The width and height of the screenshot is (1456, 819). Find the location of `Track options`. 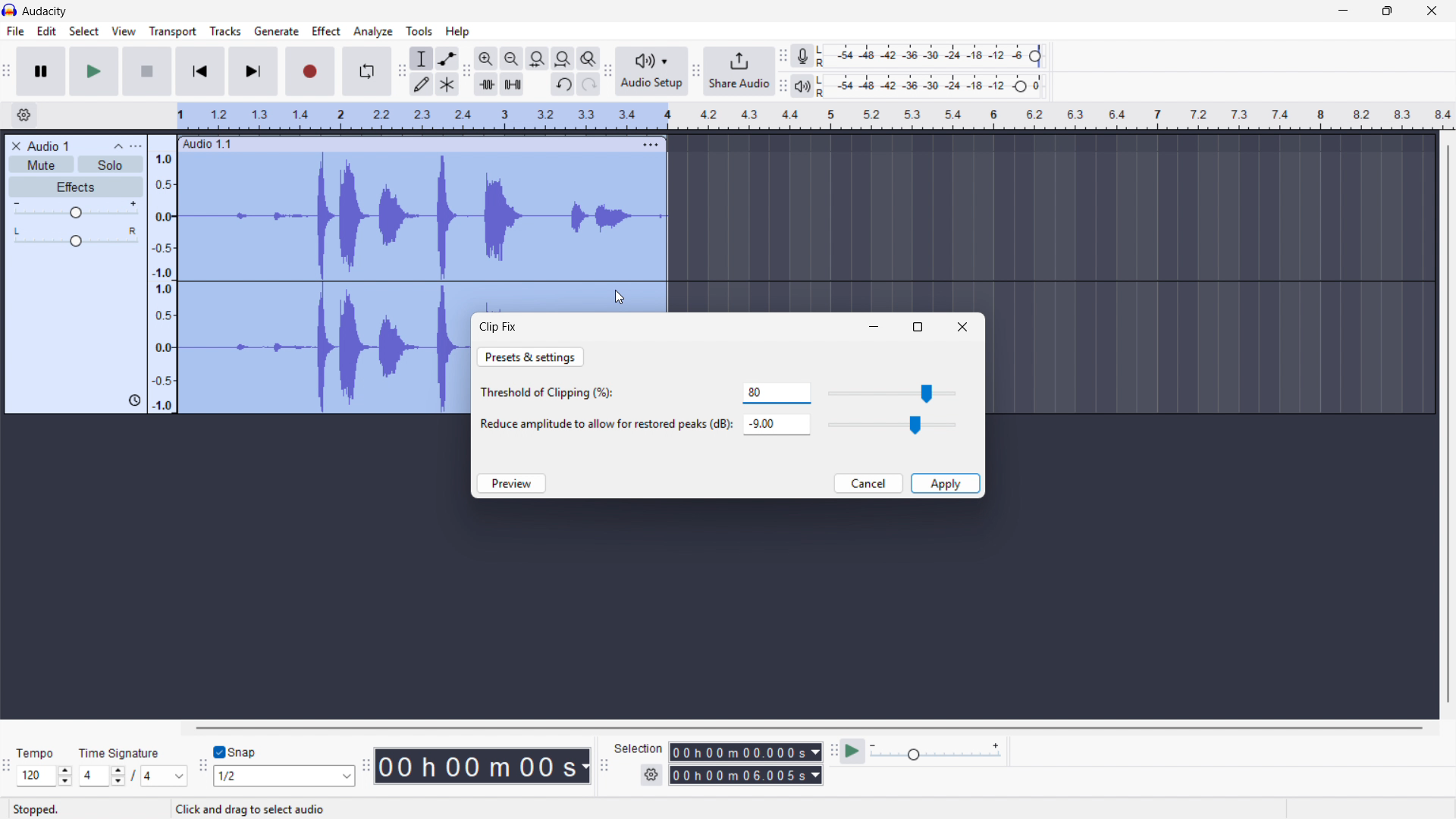

Track options is located at coordinates (649, 143).